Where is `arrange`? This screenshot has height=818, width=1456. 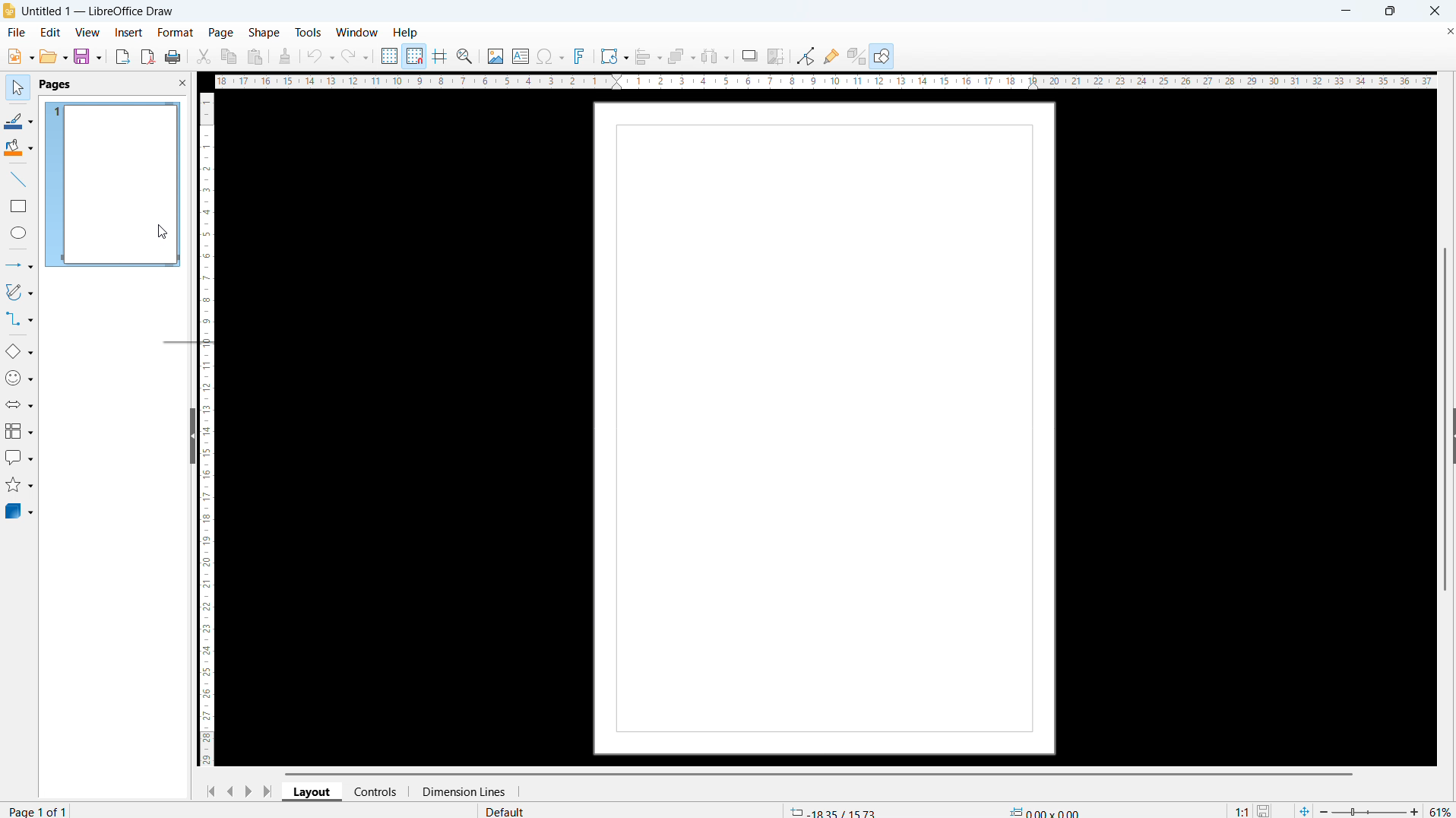 arrange is located at coordinates (680, 56).